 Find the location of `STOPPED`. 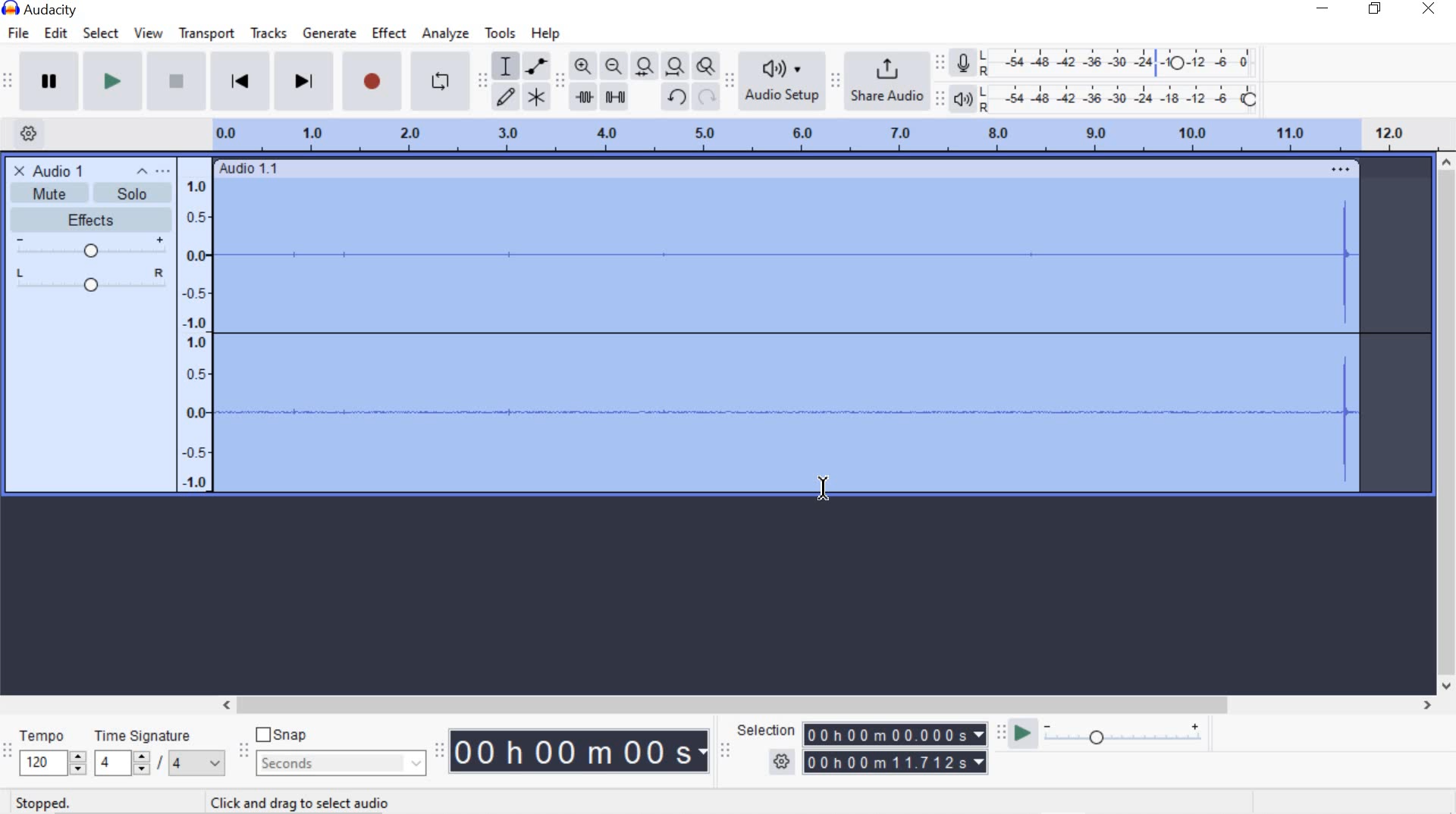

STOPPED is located at coordinates (42, 803).